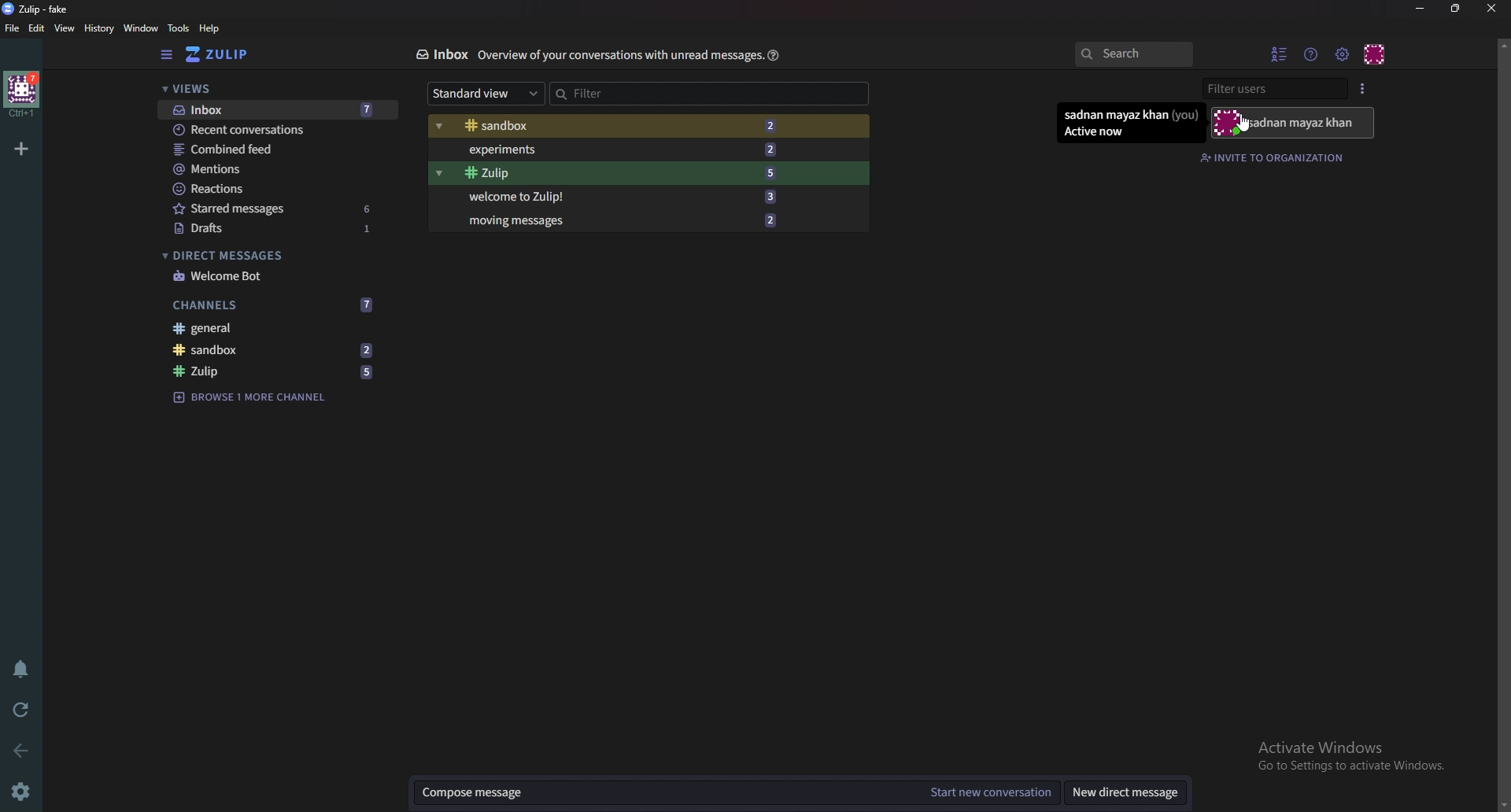 This screenshot has width=1511, height=812. I want to click on File, so click(13, 29).